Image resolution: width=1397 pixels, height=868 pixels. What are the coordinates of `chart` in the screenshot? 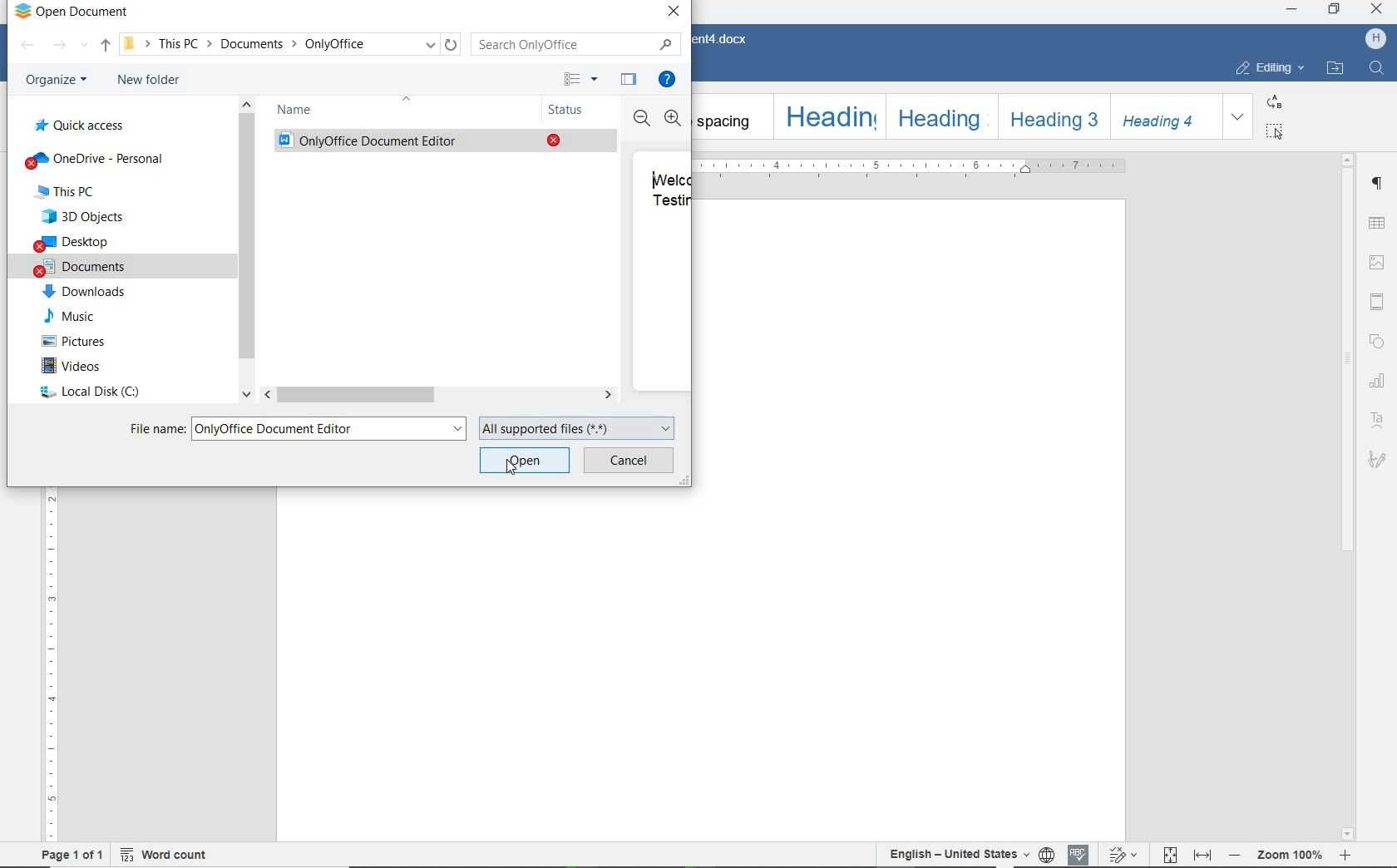 It's located at (1379, 381).